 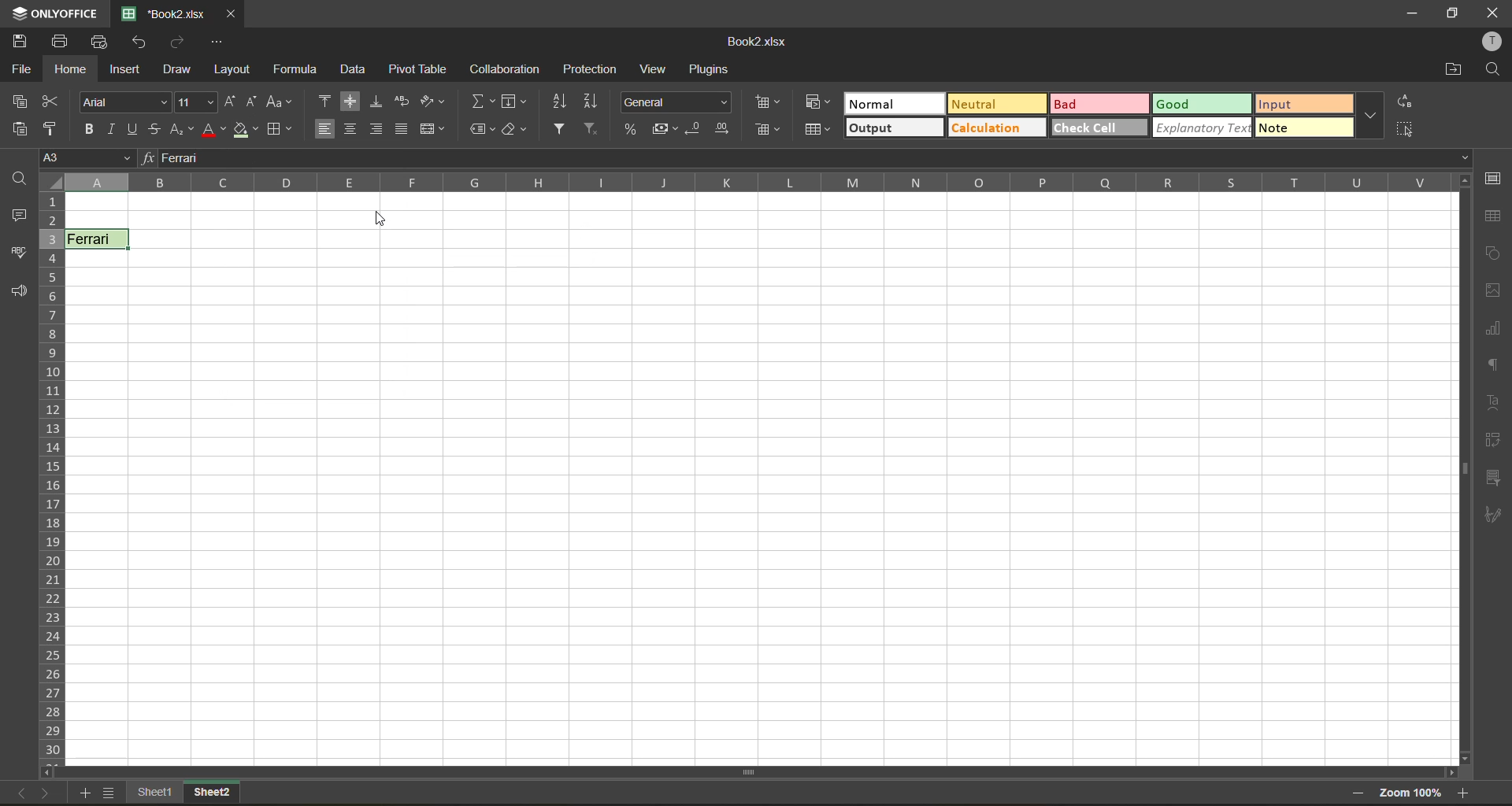 What do you see at coordinates (324, 100) in the screenshot?
I see `align top` at bounding box center [324, 100].